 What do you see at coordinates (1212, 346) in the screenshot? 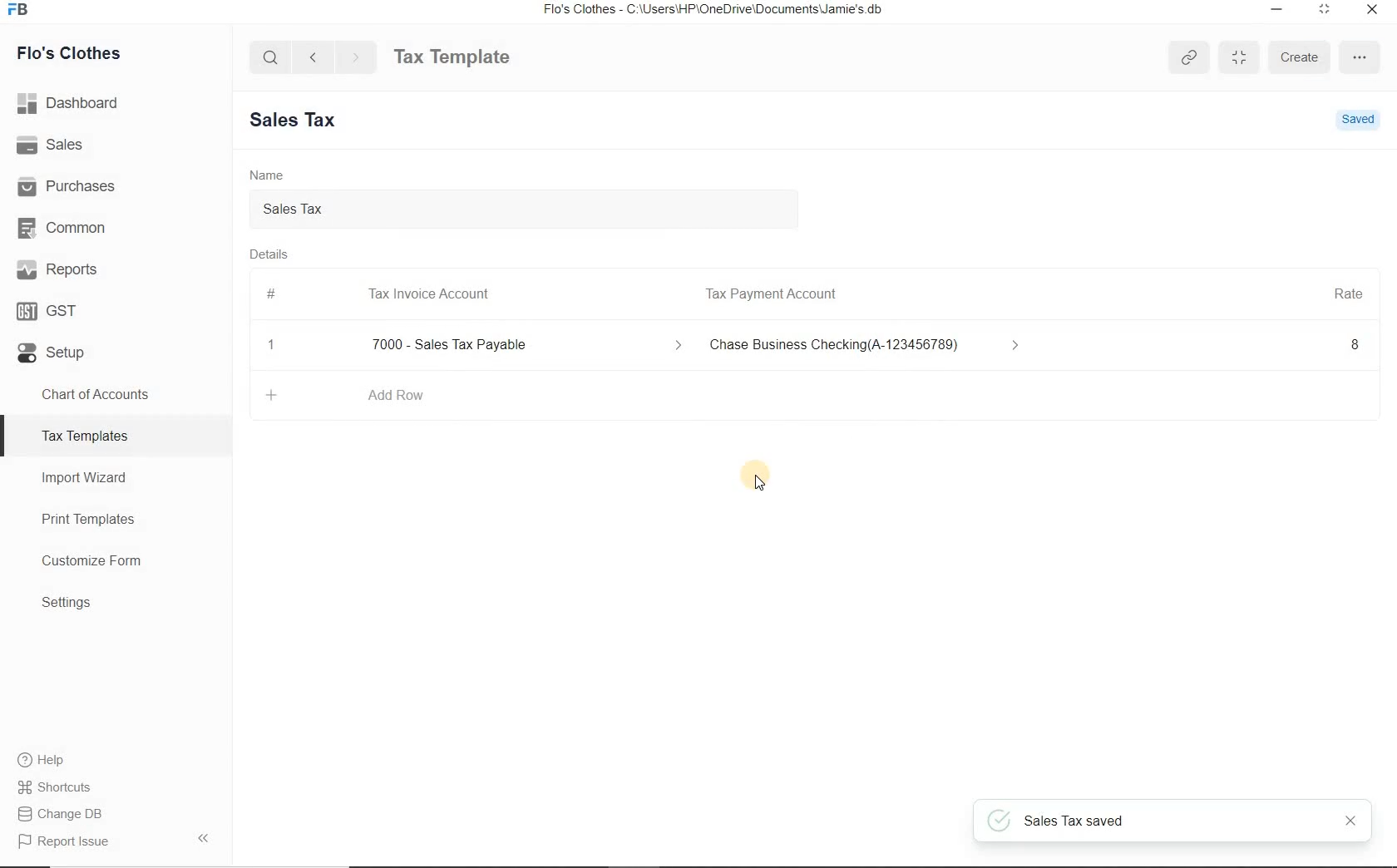
I see `08` at bounding box center [1212, 346].